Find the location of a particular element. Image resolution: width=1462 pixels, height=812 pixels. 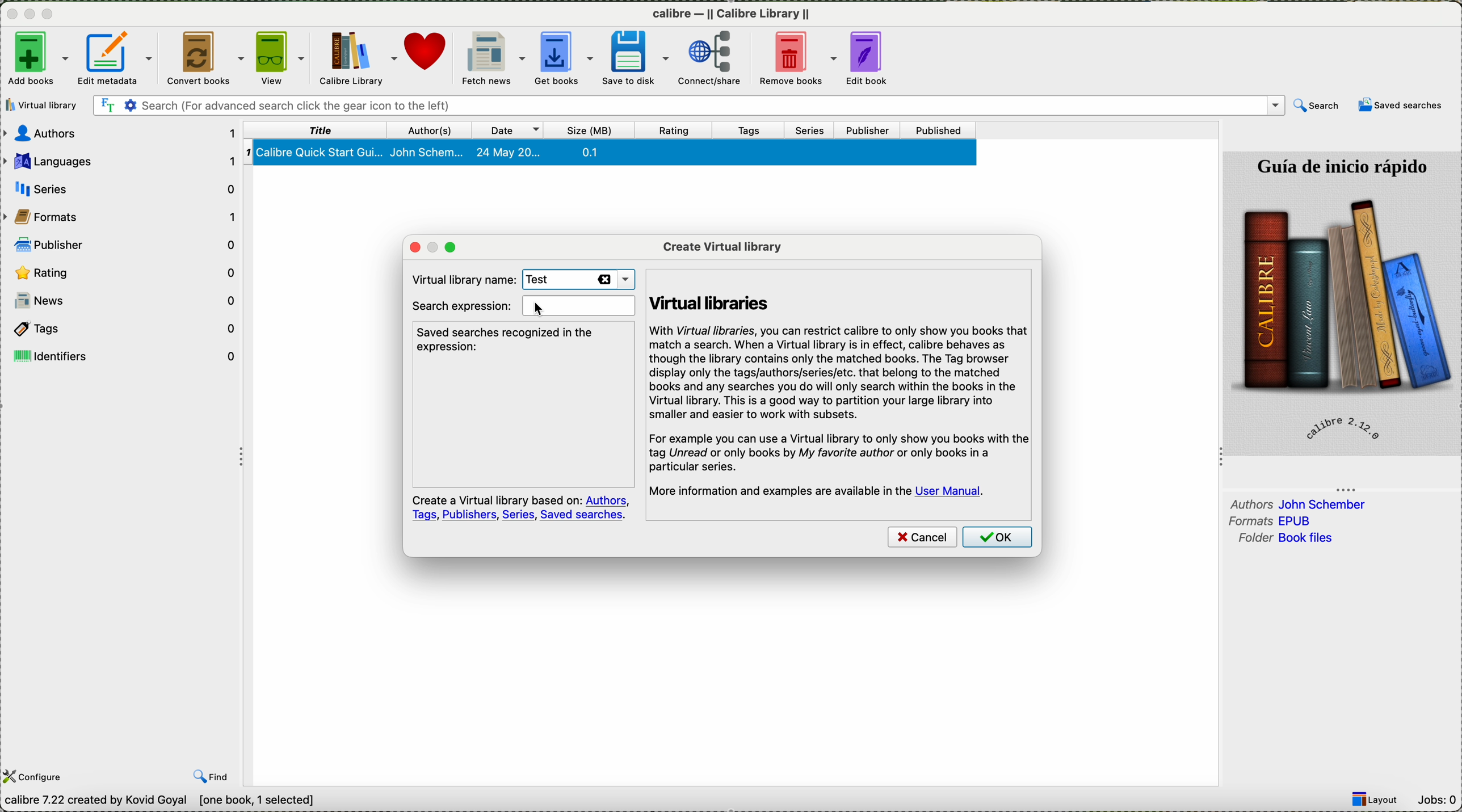

cancel is located at coordinates (922, 538).